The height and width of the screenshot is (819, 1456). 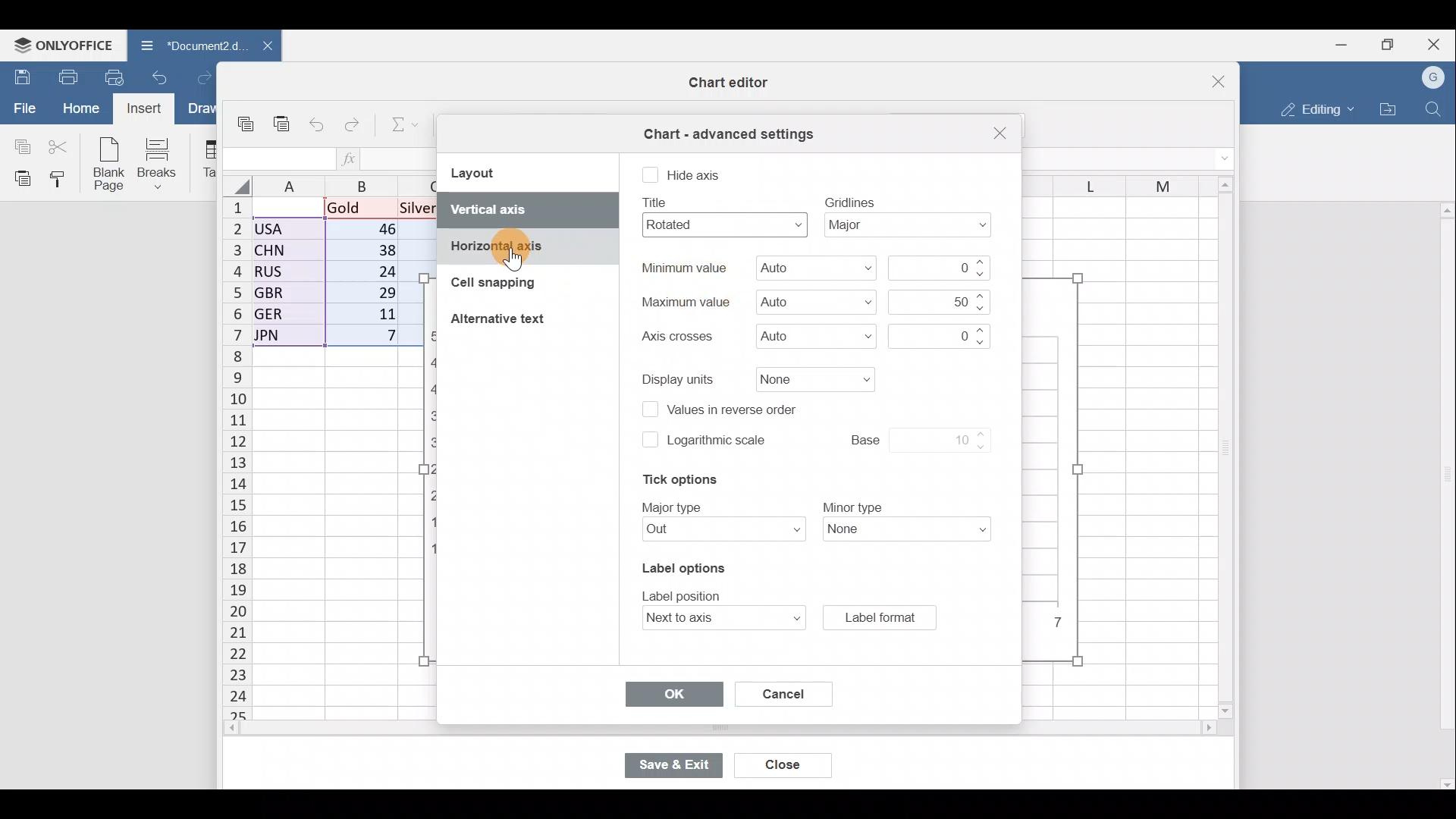 What do you see at coordinates (782, 766) in the screenshot?
I see `Close` at bounding box center [782, 766].